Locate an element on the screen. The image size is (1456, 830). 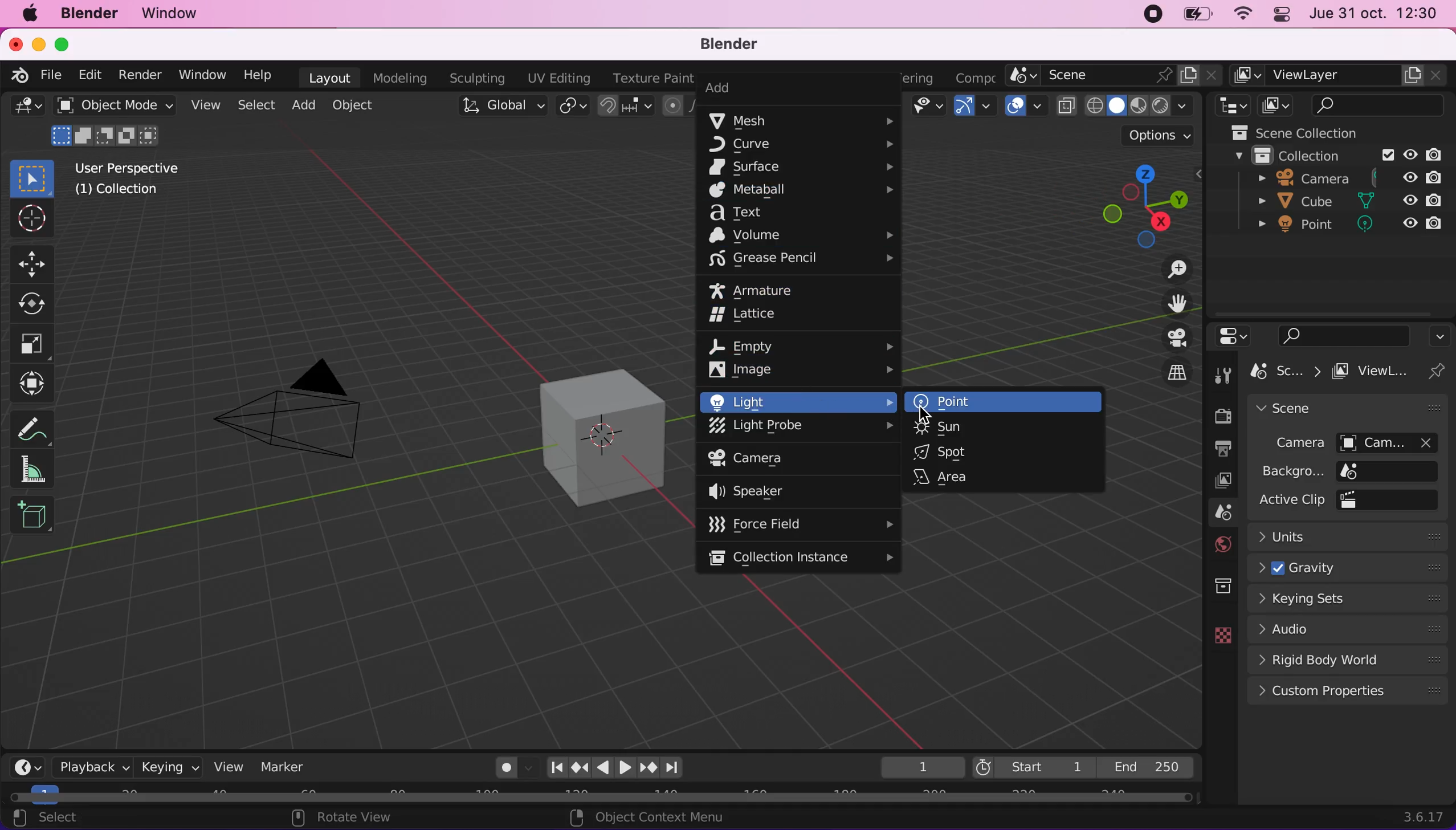
gravity is located at coordinates (1352, 568).